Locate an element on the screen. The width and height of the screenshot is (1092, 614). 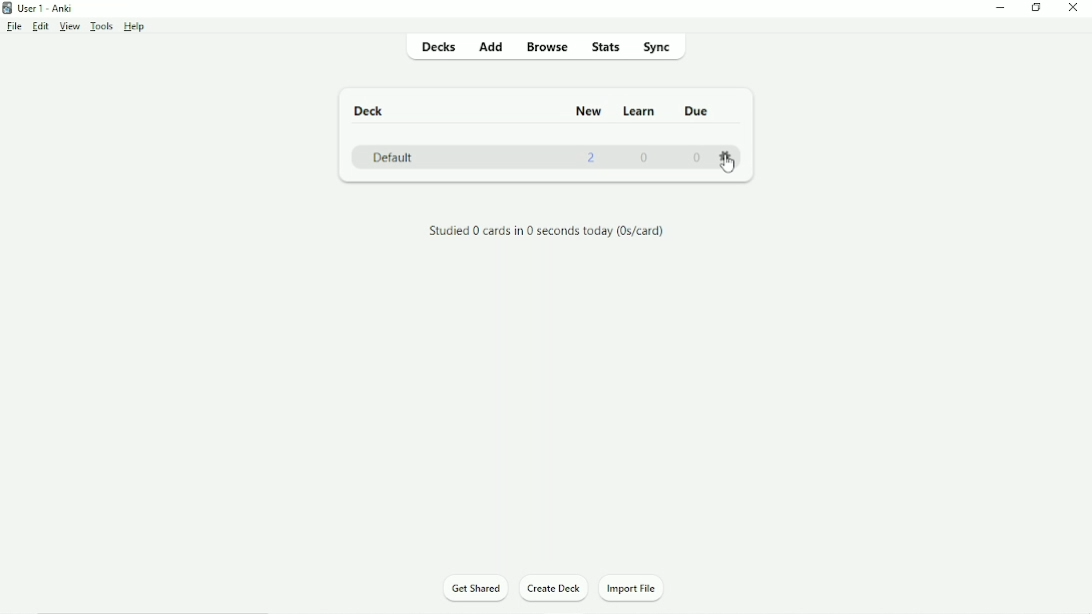
Restore down is located at coordinates (1036, 9).